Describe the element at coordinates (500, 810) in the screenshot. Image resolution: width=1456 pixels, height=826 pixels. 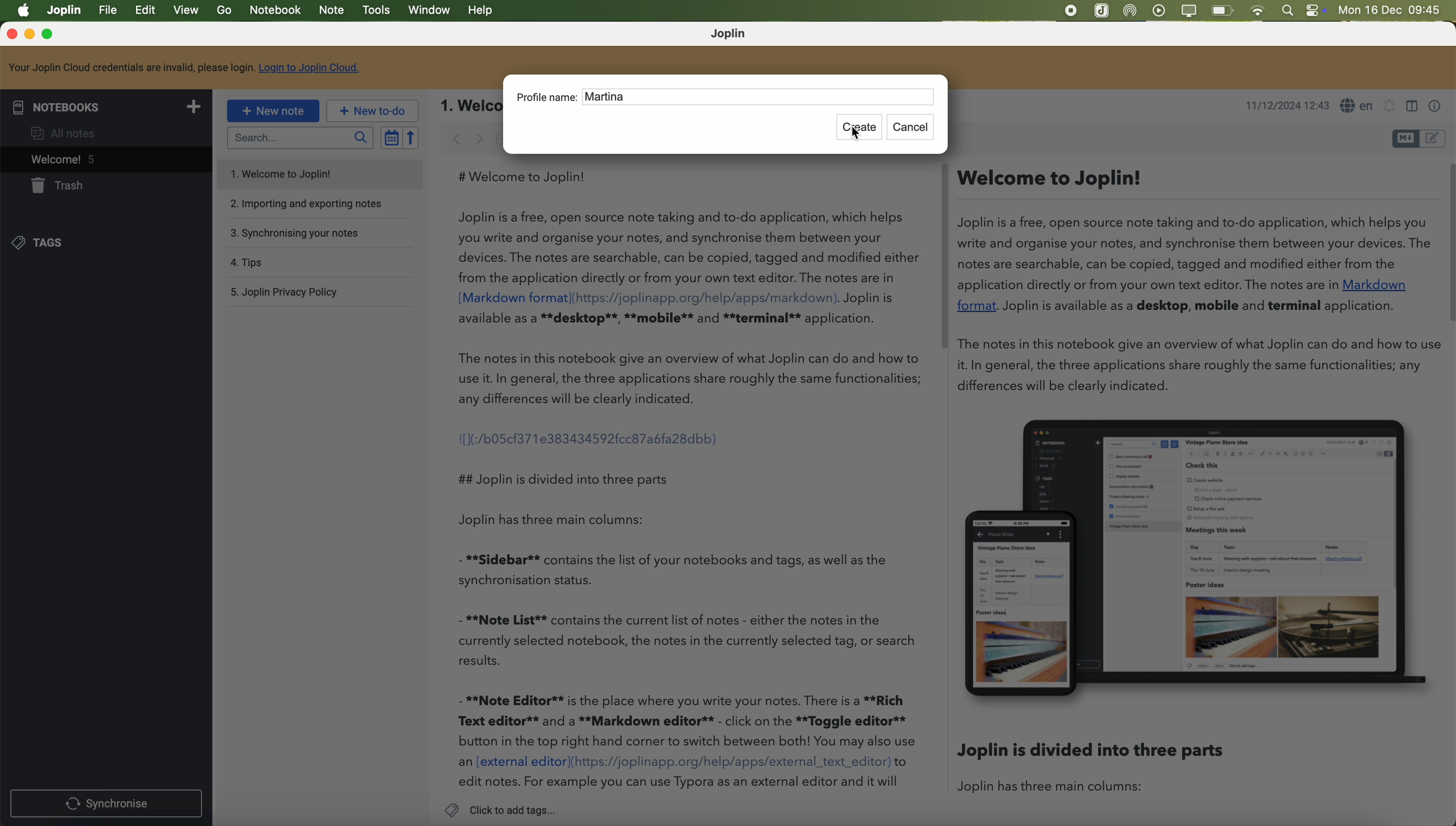
I see `click to add tags` at that location.